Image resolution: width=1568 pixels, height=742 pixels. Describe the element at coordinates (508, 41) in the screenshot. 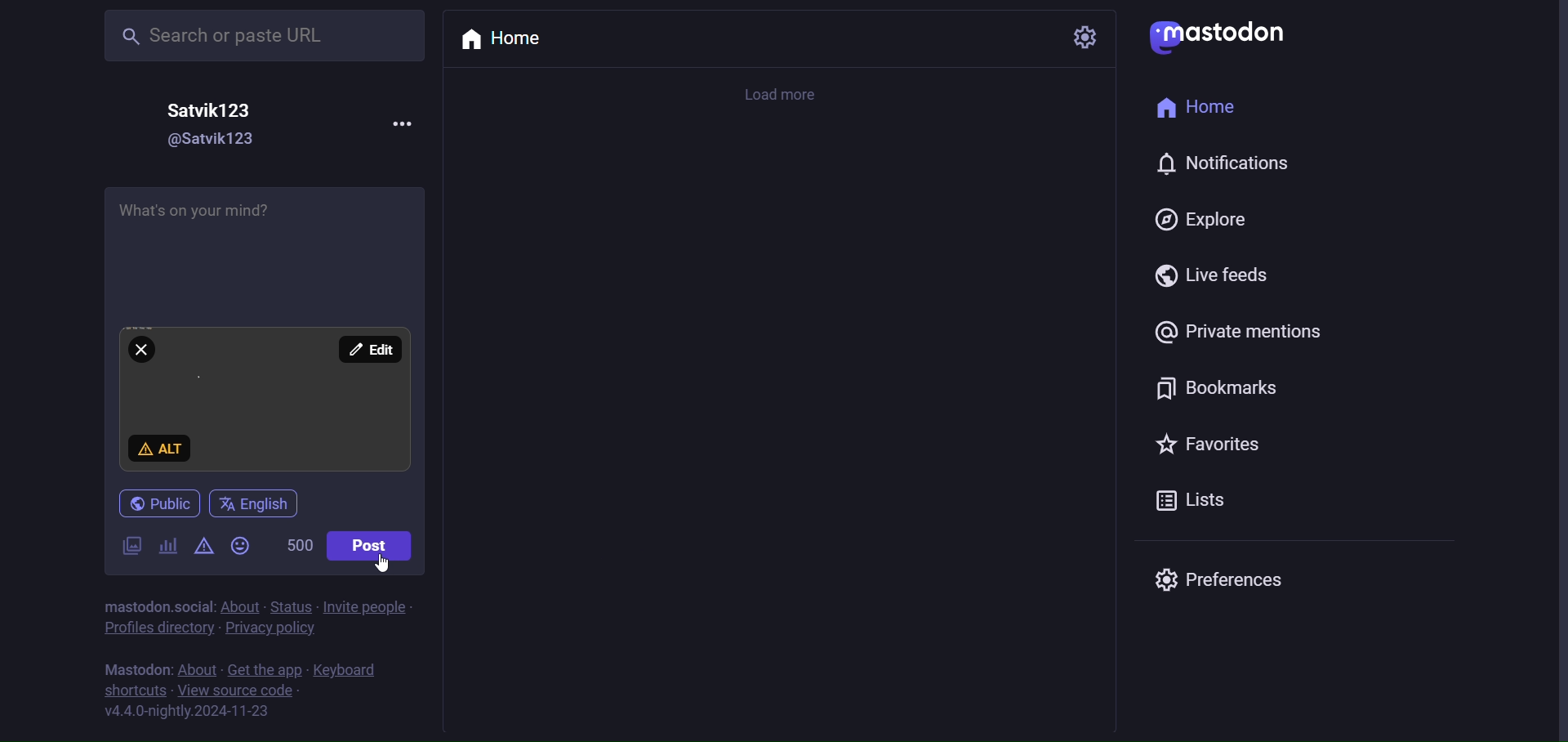

I see `home` at that location.